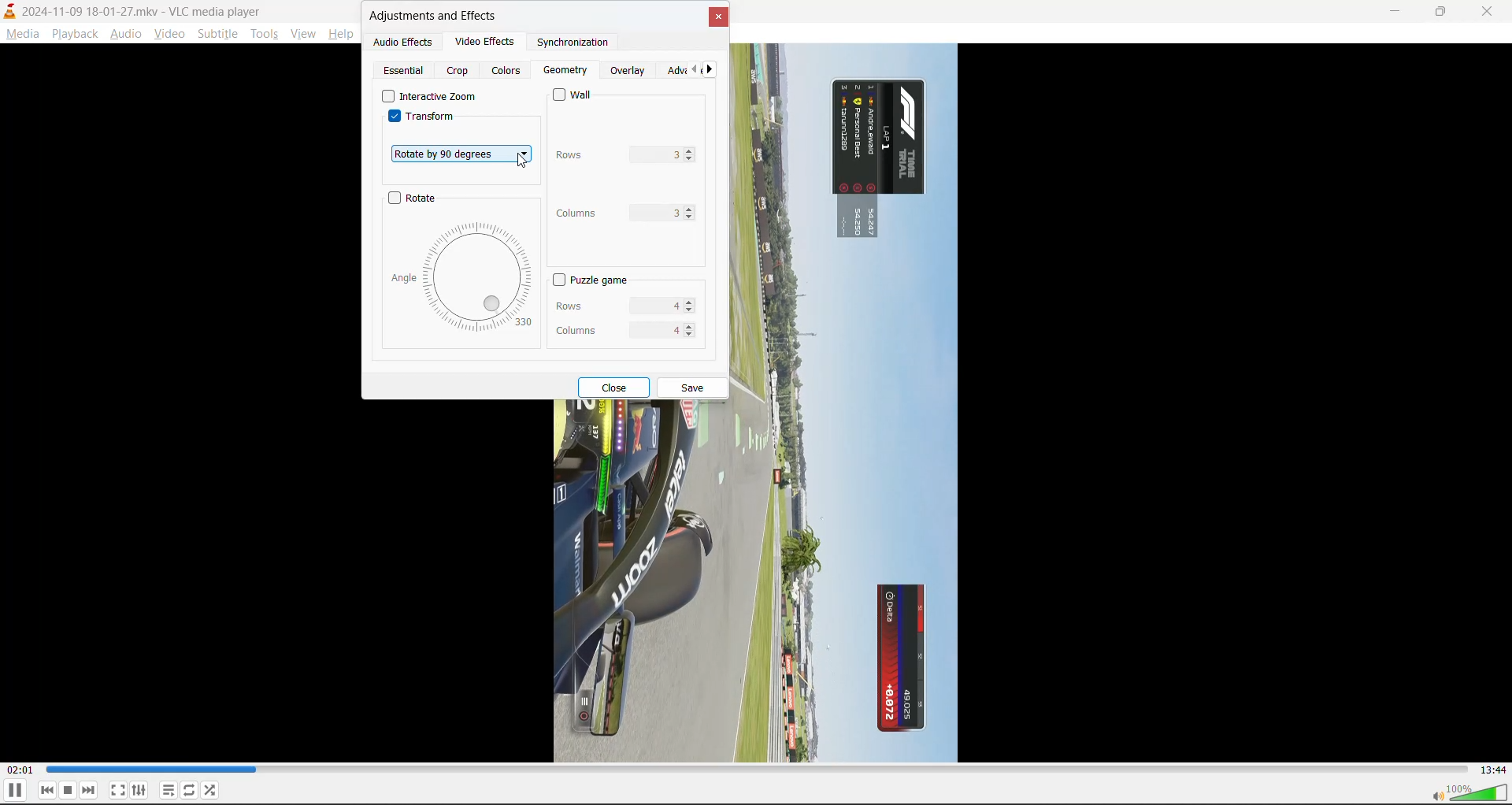  Describe the element at coordinates (691, 310) in the screenshot. I see `Decrease` at that location.